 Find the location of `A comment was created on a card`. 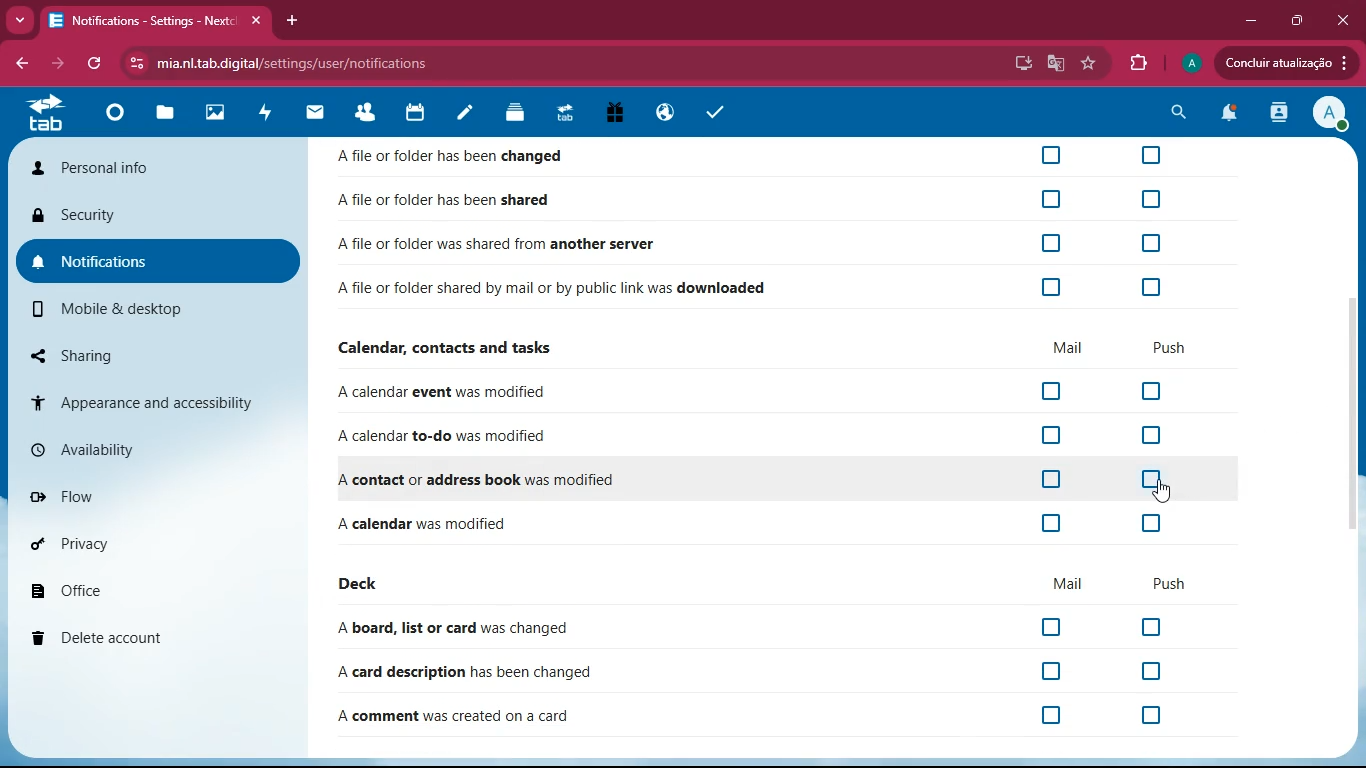

A comment was created on a card is located at coordinates (453, 717).